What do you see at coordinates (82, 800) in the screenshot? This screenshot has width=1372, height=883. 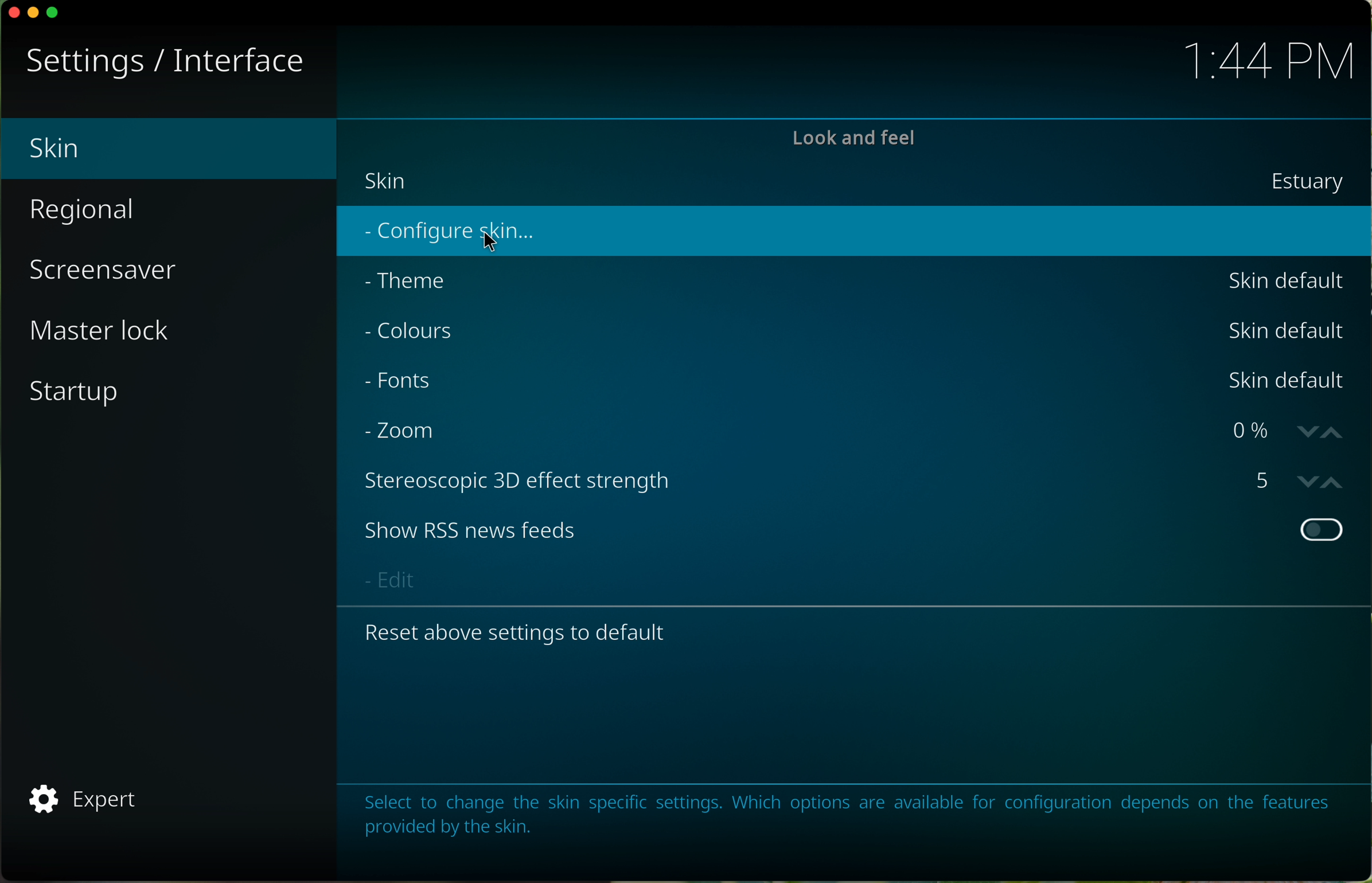 I see `expert settings` at bounding box center [82, 800].